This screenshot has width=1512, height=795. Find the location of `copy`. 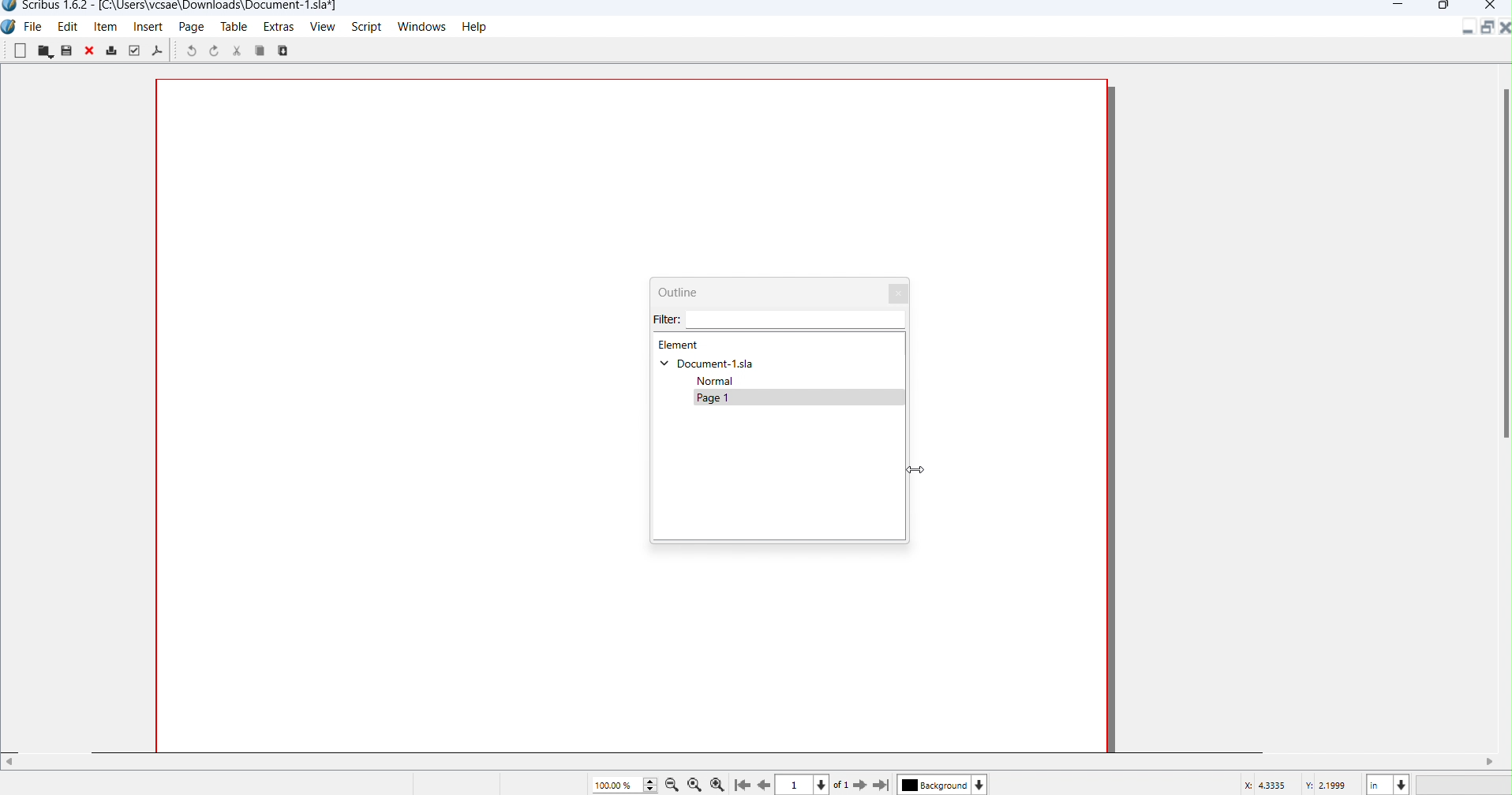

copy is located at coordinates (289, 51).